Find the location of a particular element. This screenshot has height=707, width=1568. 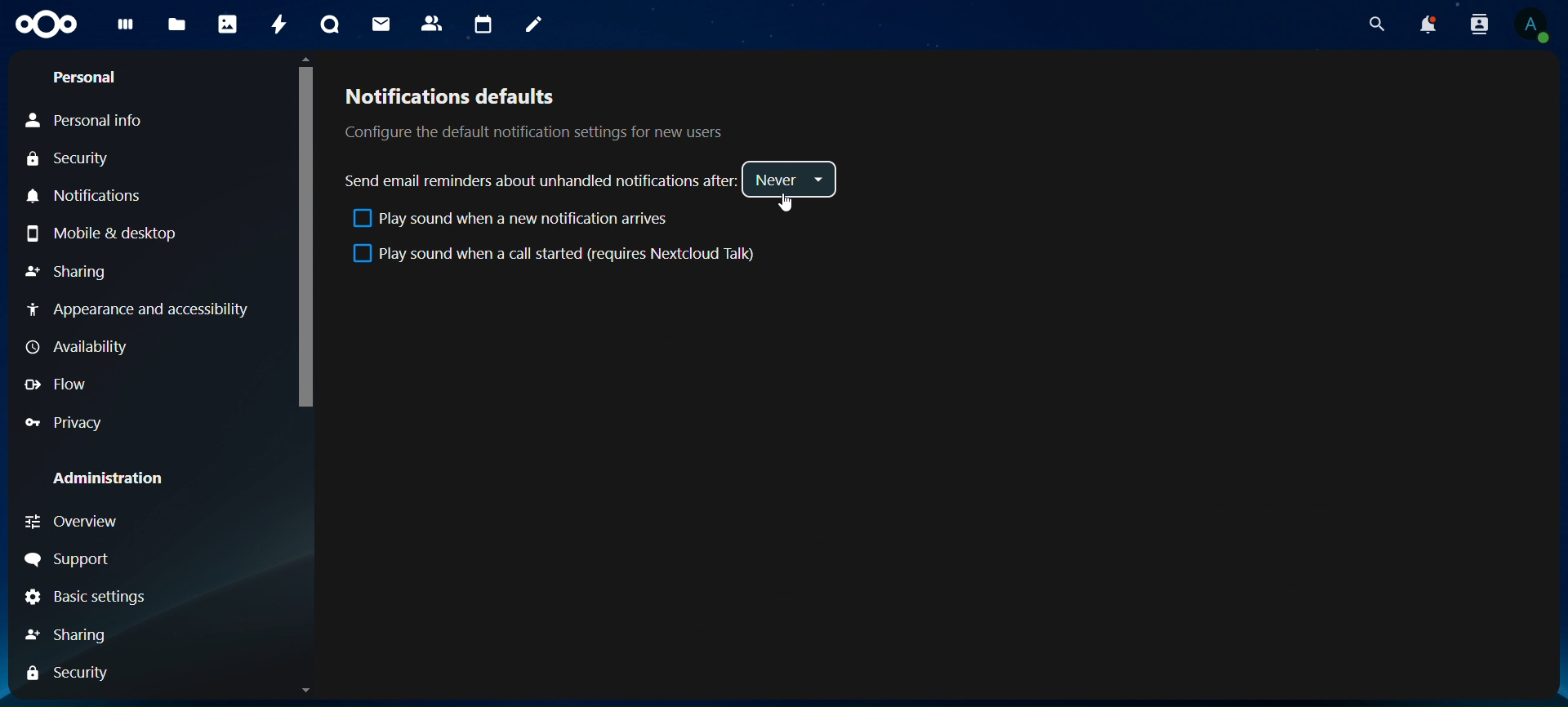

dashboard is located at coordinates (127, 27).